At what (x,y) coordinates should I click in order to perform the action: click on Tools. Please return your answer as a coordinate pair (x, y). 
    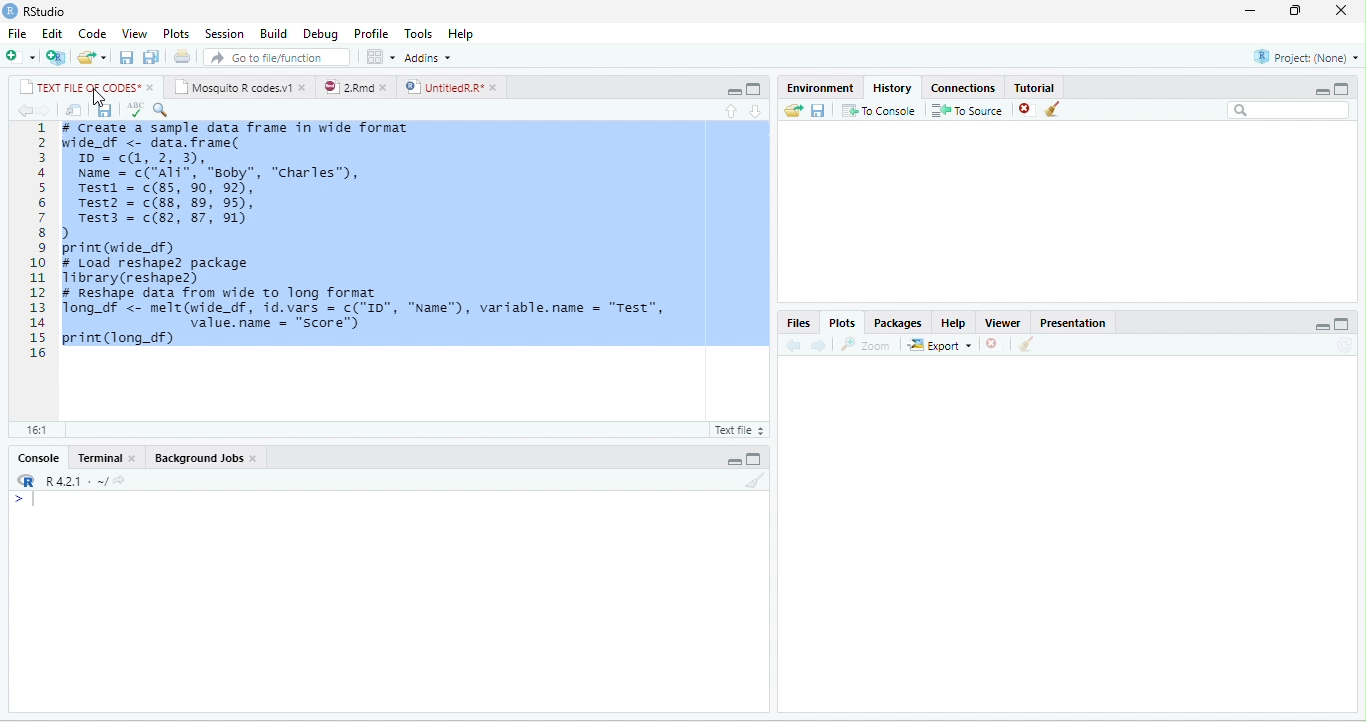
    Looking at the image, I should click on (419, 35).